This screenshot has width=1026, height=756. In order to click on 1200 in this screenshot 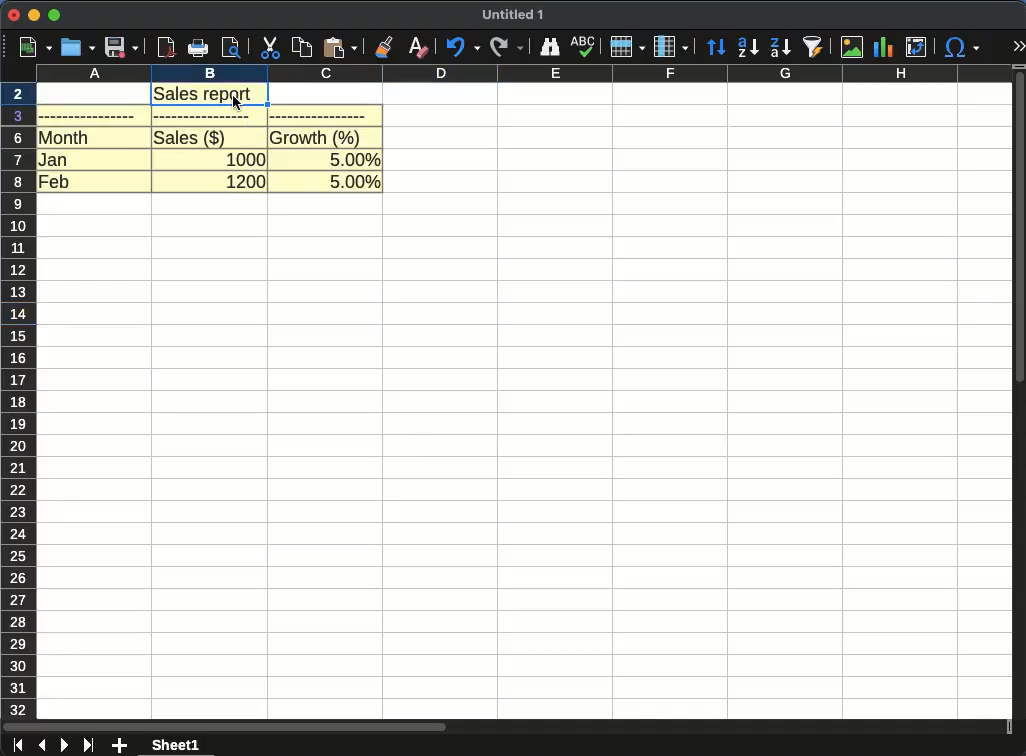, I will do `click(246, 182)`.